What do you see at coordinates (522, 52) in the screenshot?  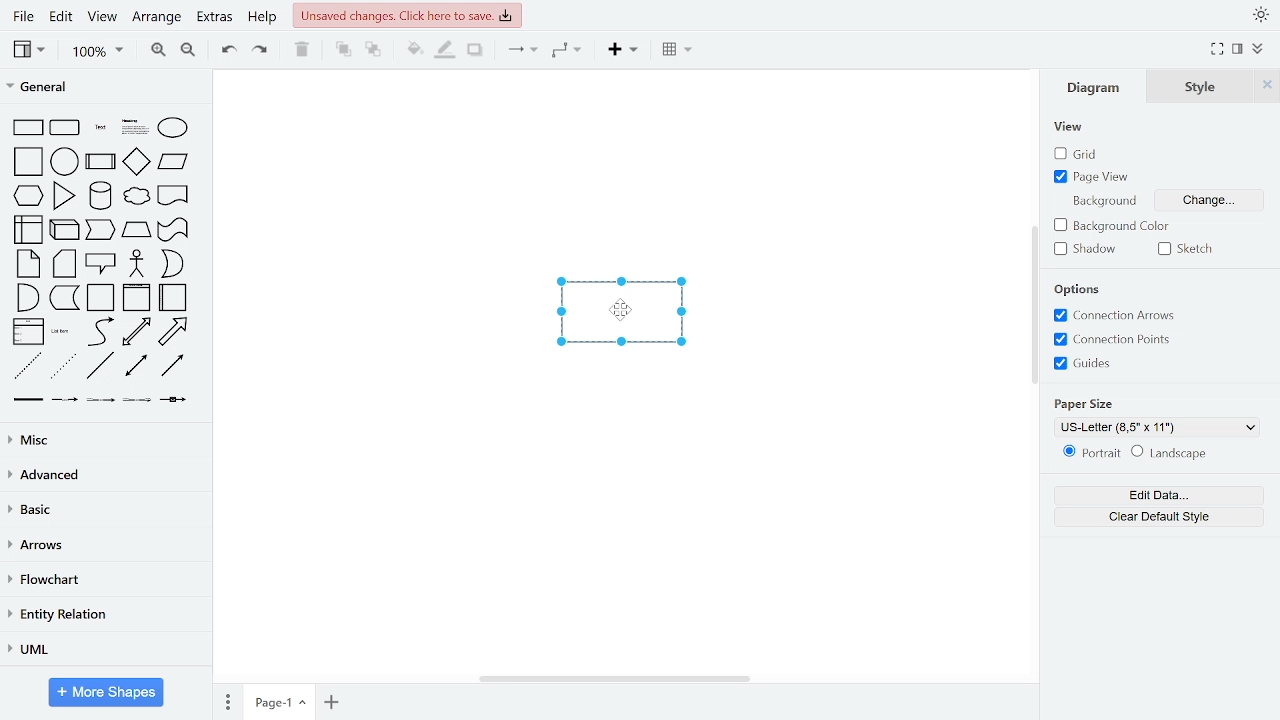 I see `connection` at bounding box center [522, 52].